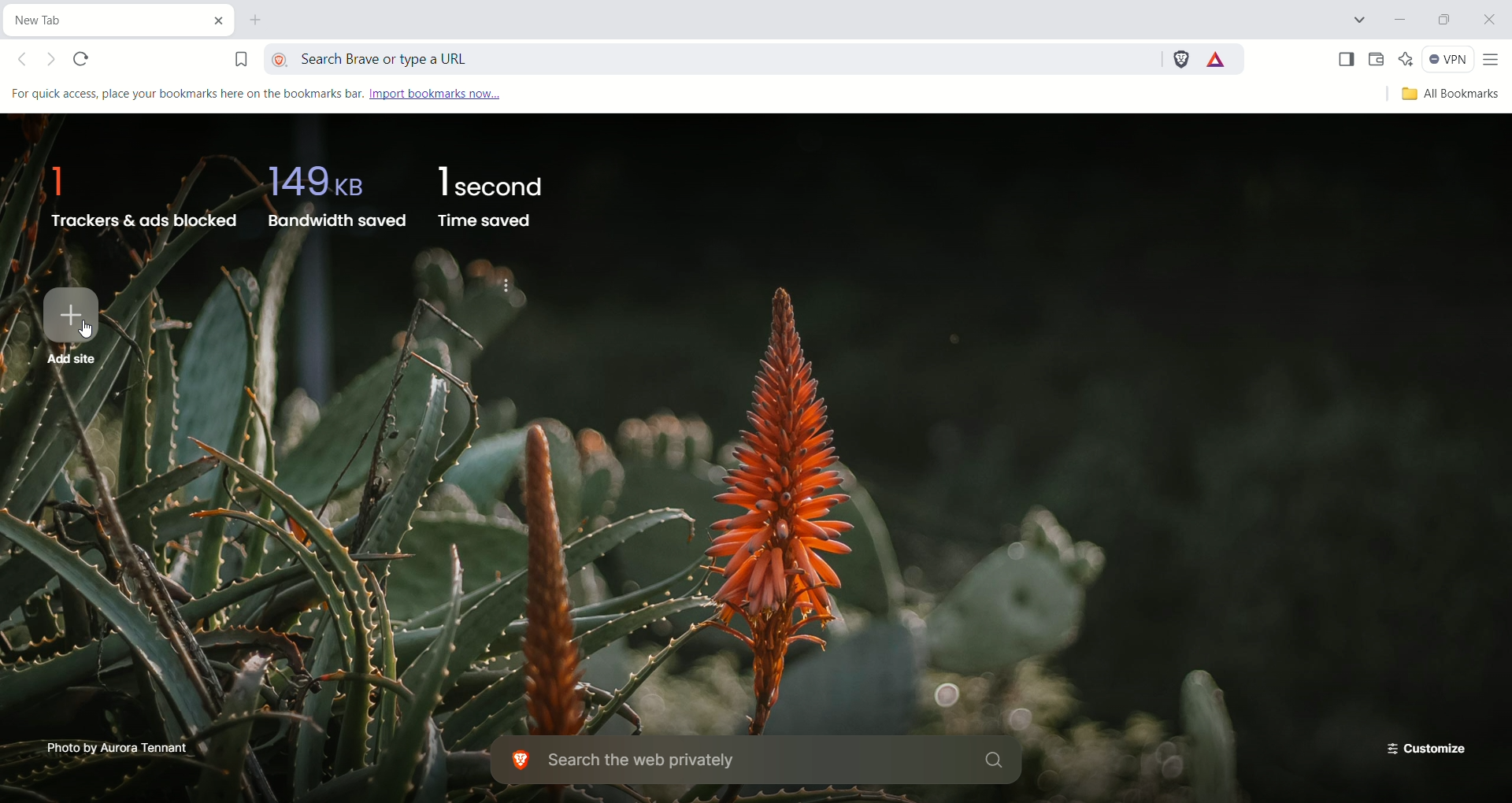 The height and width of the screenshot is (803, 1512). I want to click on restore down, so click(1447, 22).